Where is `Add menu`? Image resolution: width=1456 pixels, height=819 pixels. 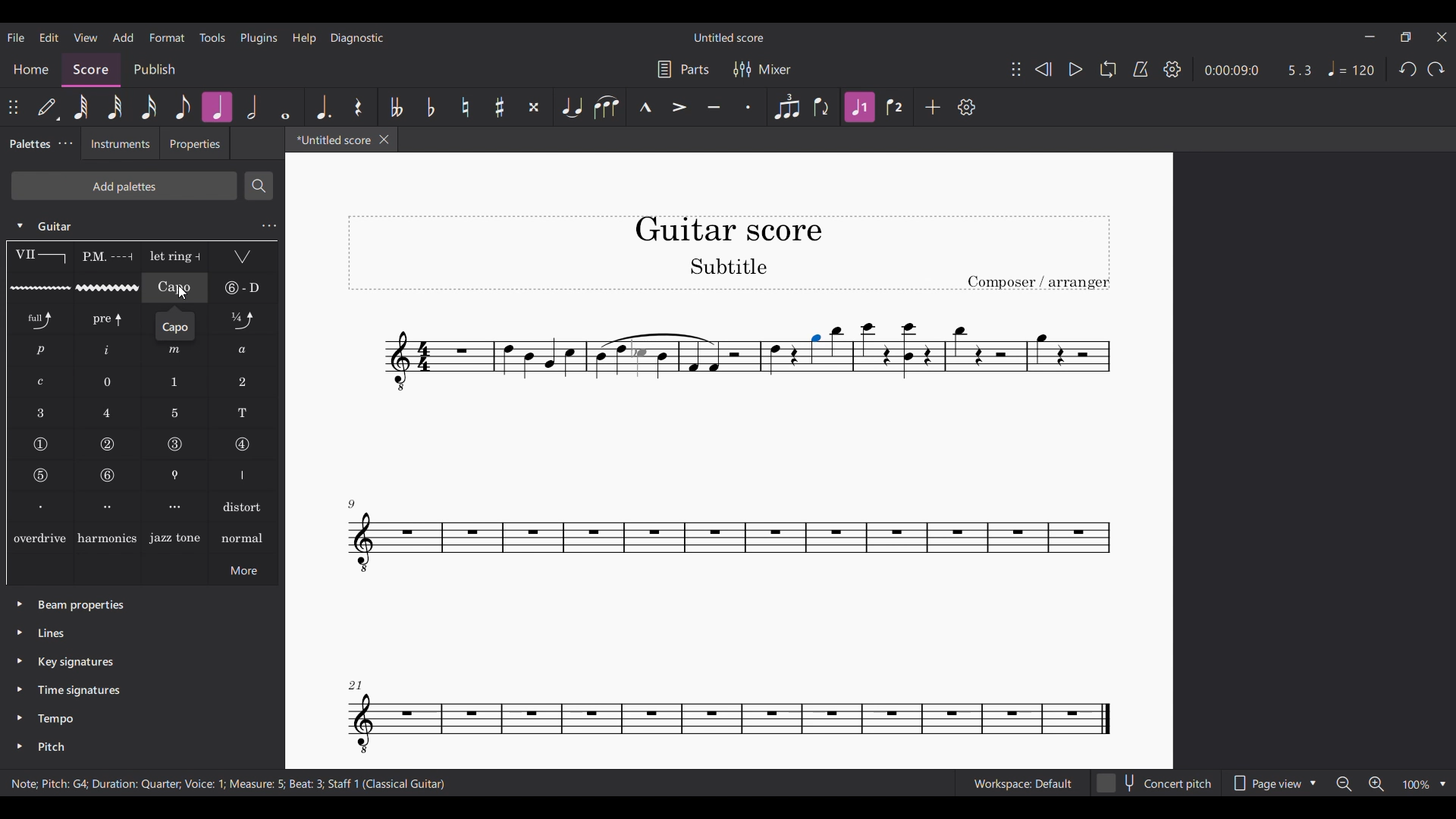
Add menu is located at coordinates (123, 37).